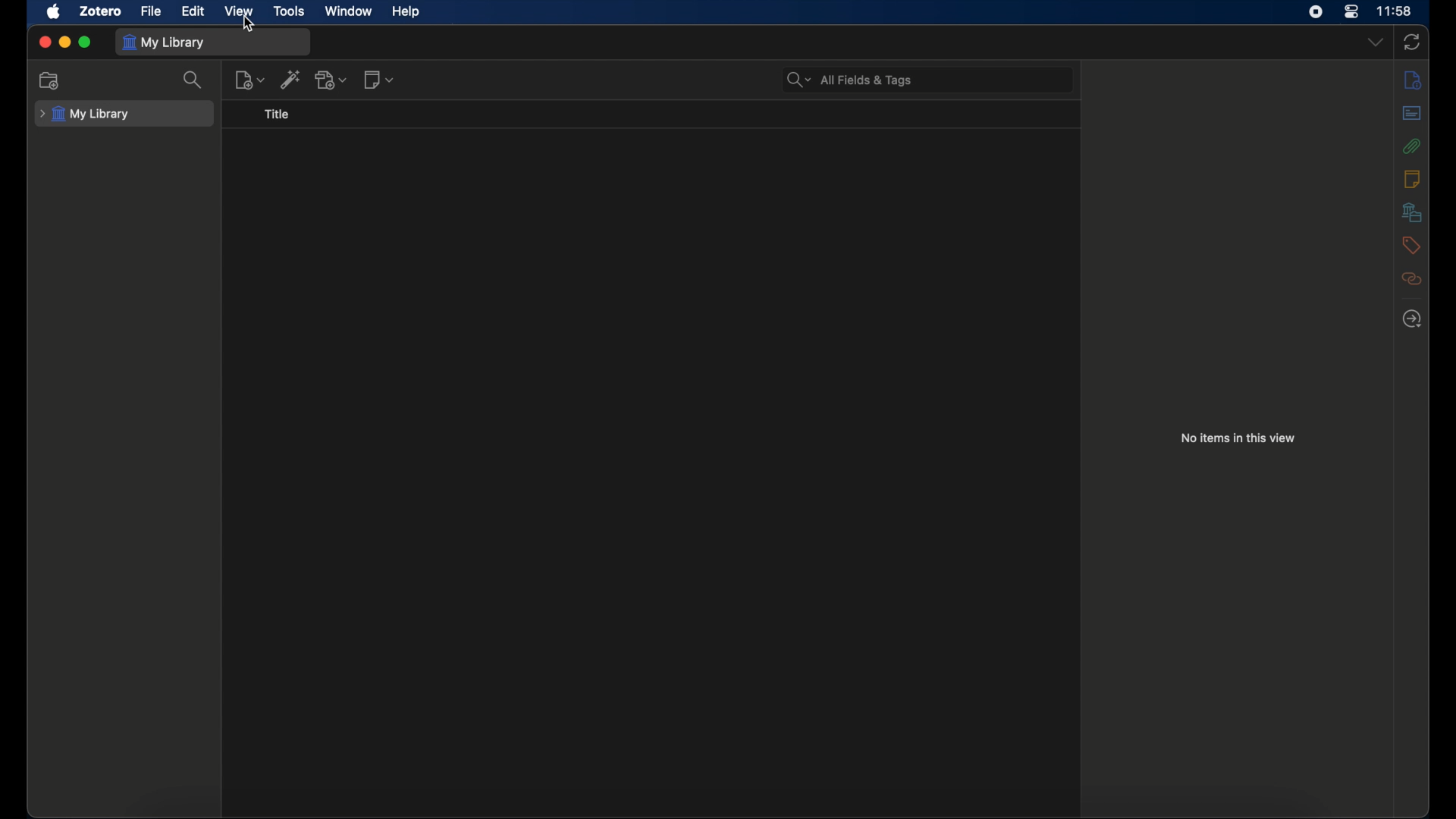 The height and width of the screenshot is (819, 1456). Describe the element at coordinates (350, 11) in the screenshot. I see `window` at that location.